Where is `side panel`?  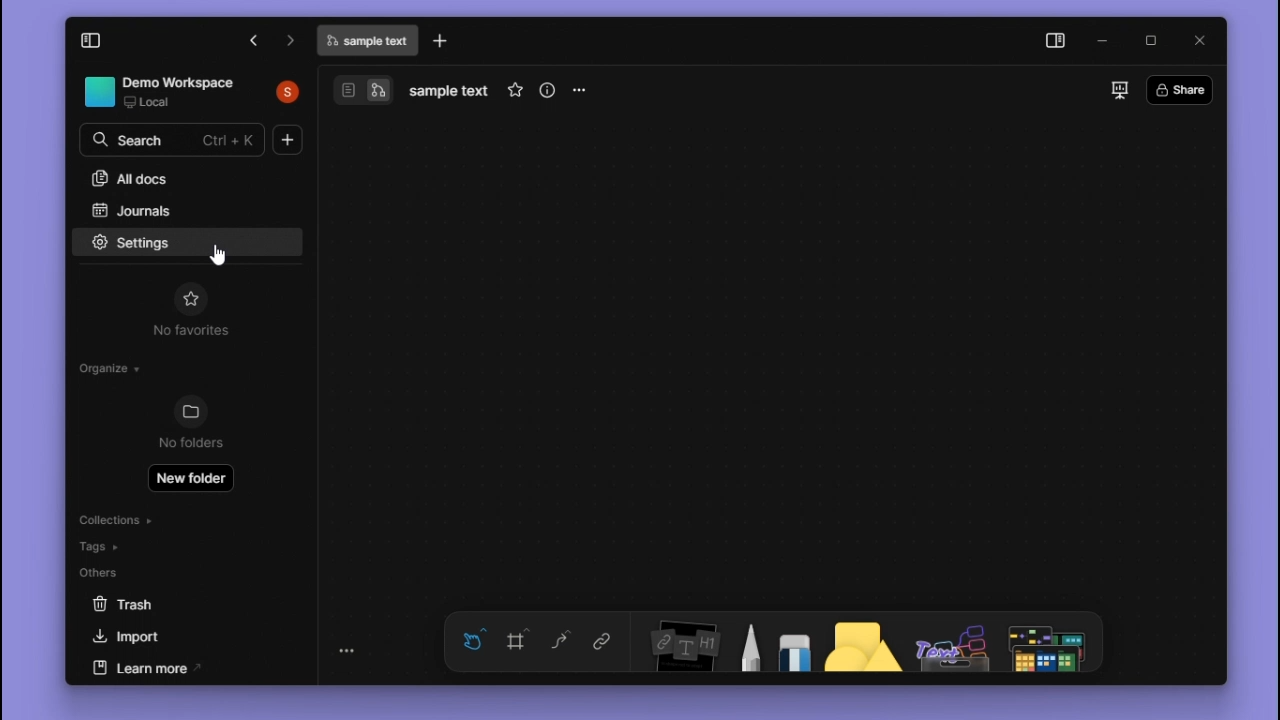 side panel is located at coordinates (1058, 40).